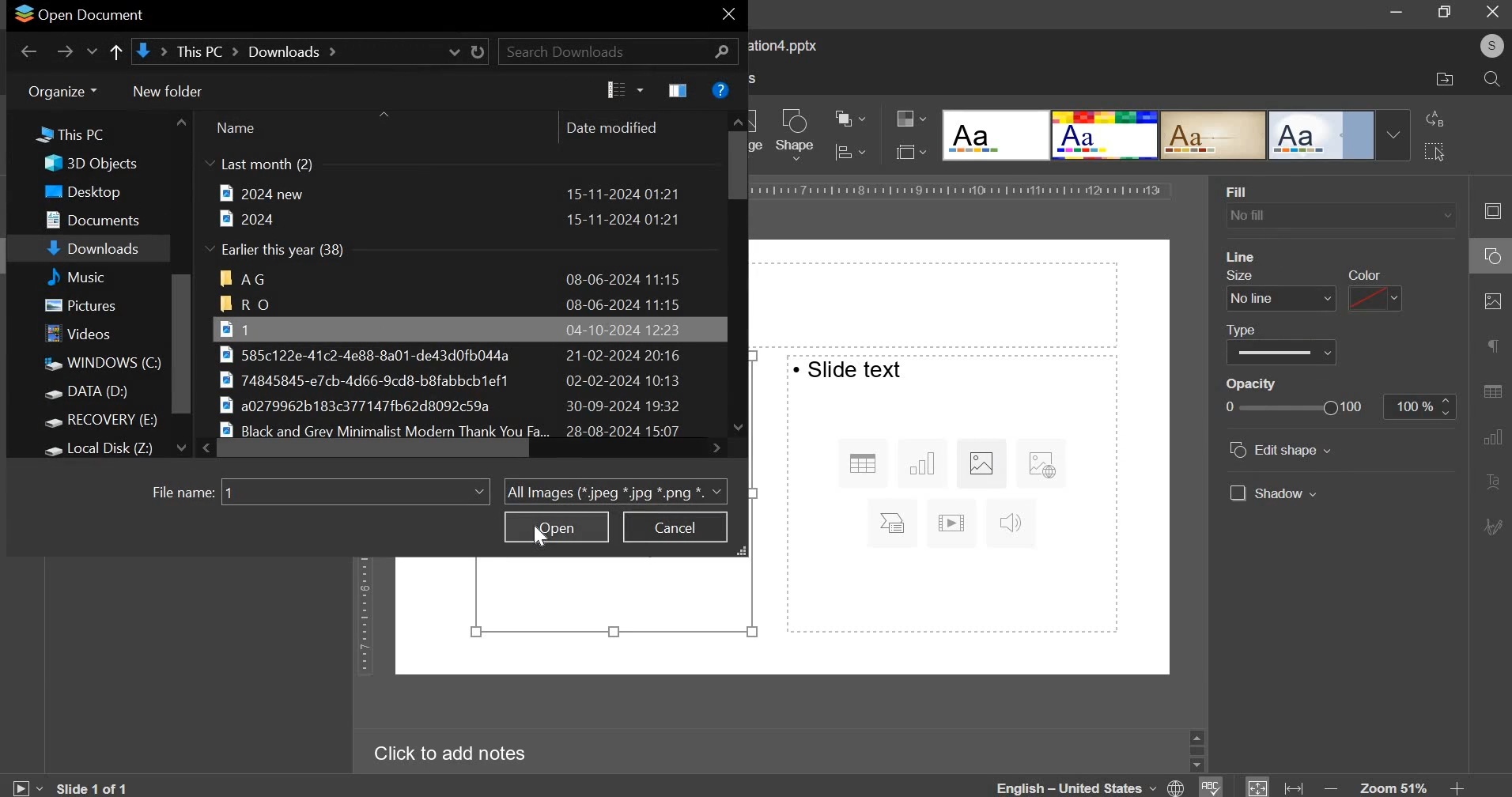 This screenshot has width=1512, height=797. I want to click on vertical scroll bar, so click(182, 344).